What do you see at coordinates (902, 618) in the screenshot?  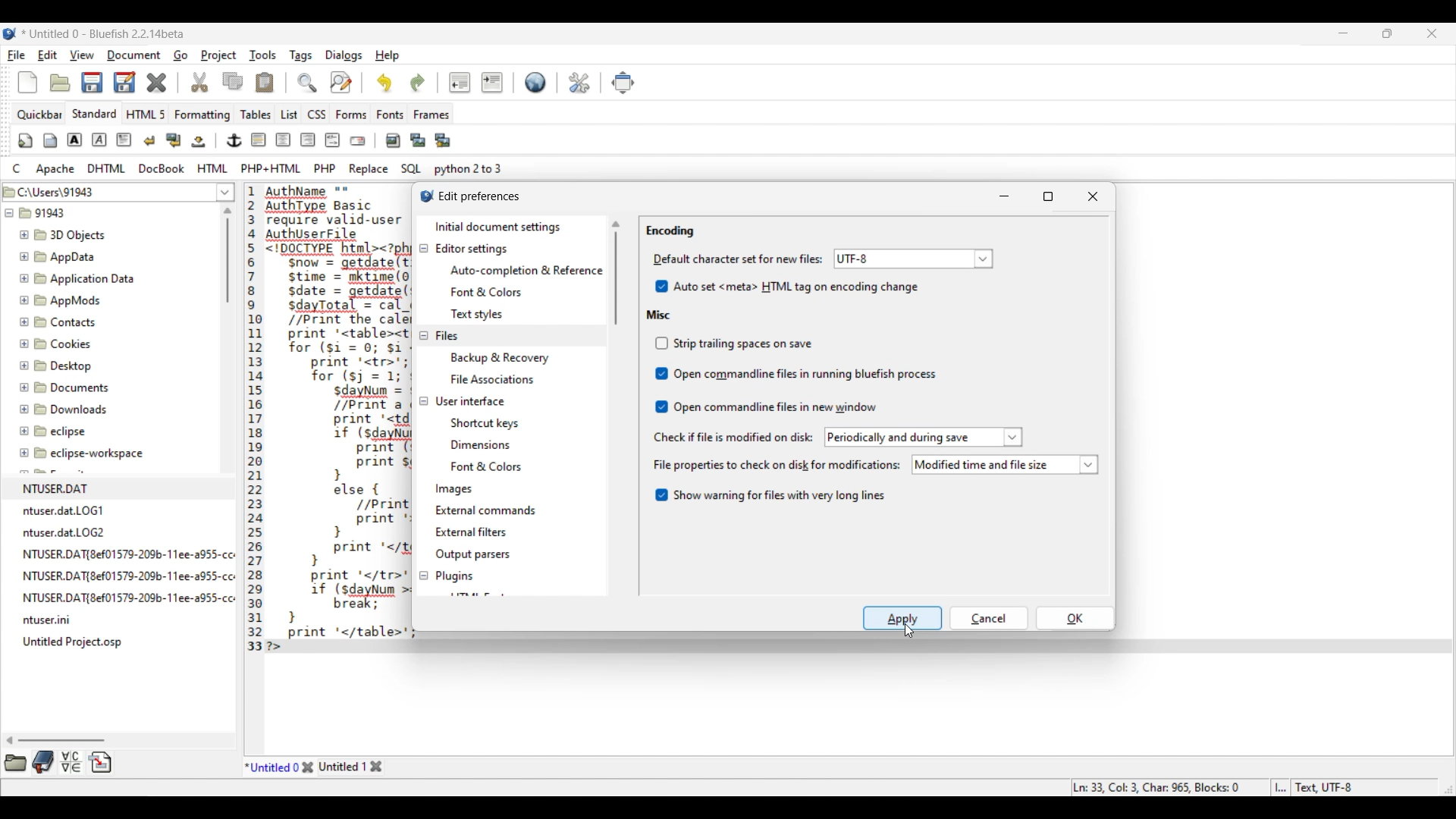 I see `Apply highlighted` at bounding box center [902, 618].